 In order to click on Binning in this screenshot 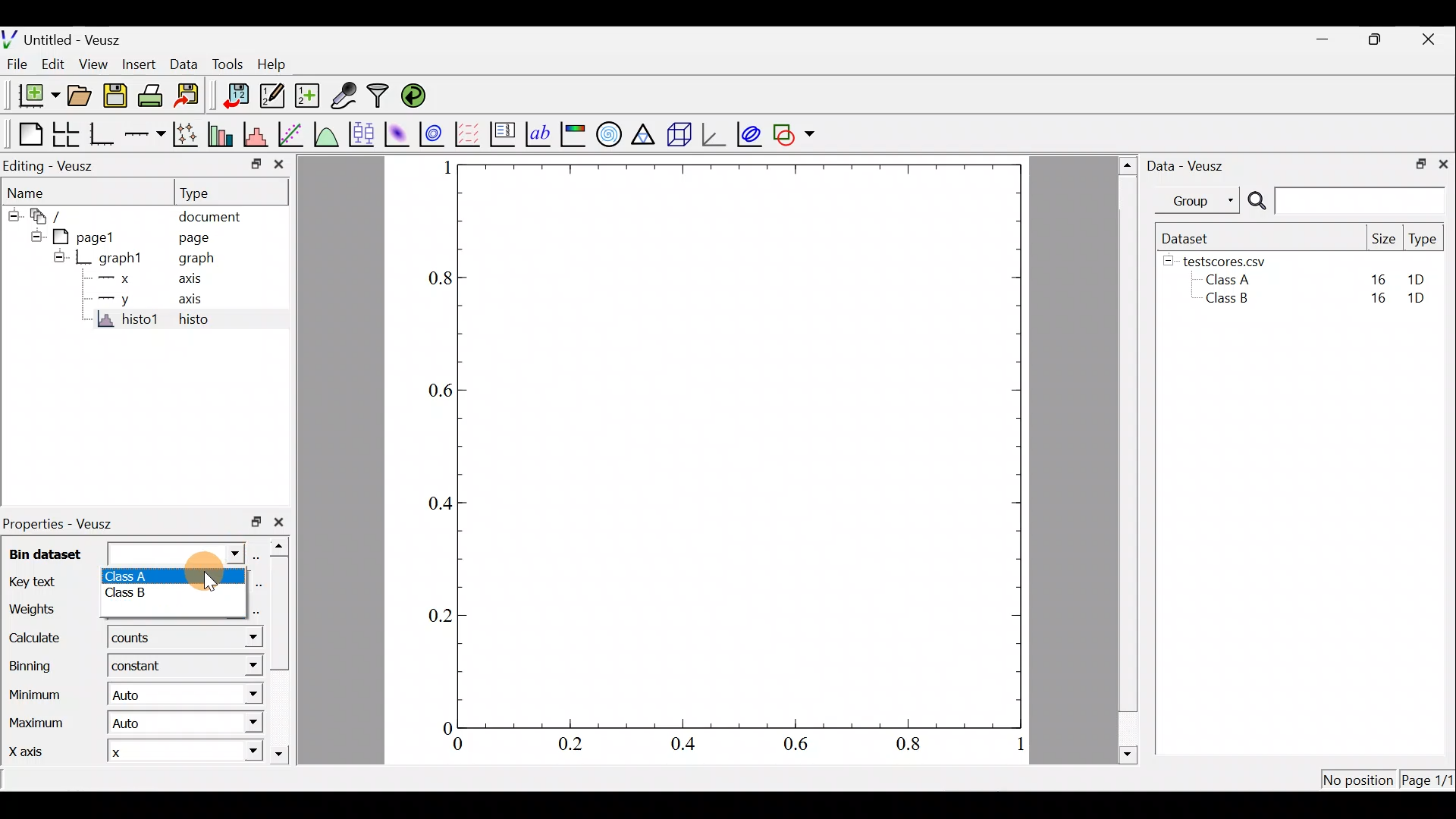, I will do `click(29, 664)`.